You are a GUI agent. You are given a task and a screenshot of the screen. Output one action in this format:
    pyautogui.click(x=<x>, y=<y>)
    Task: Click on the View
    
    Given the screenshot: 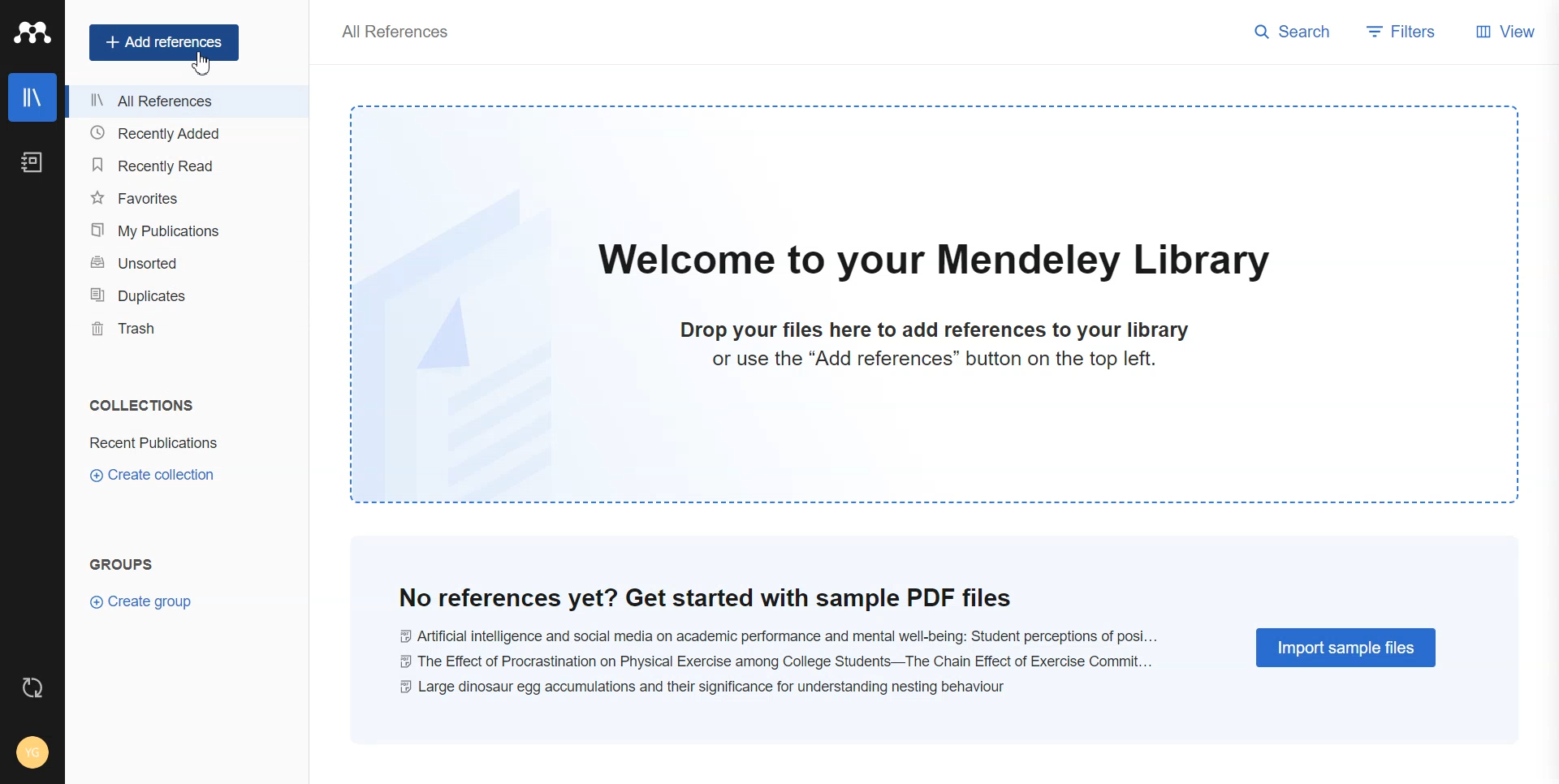 What is the action you would take?
    pyautogui.click(x=1502, y=32)
    